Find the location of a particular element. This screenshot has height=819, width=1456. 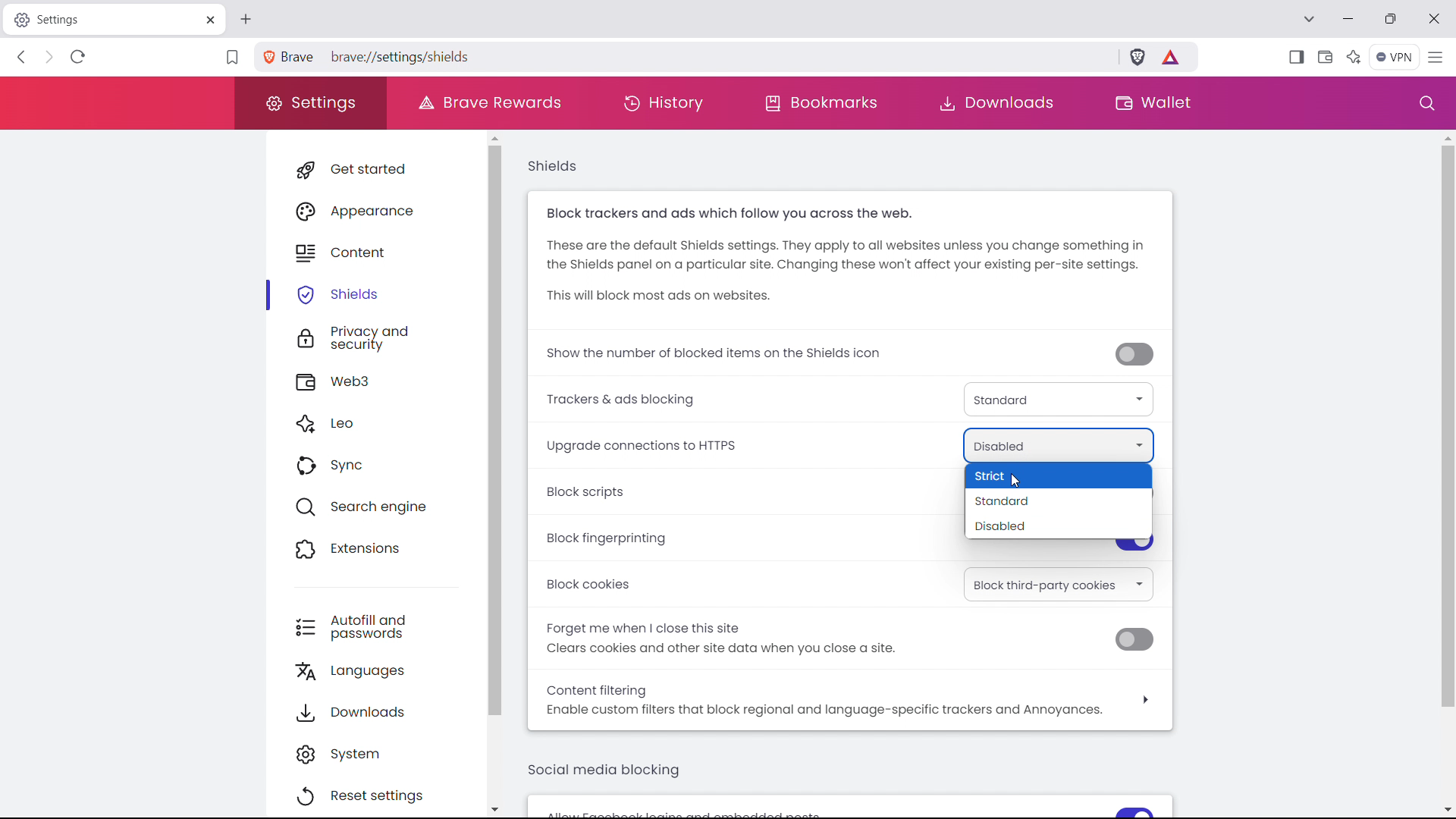

search engine is located at coordinates (384, 505).